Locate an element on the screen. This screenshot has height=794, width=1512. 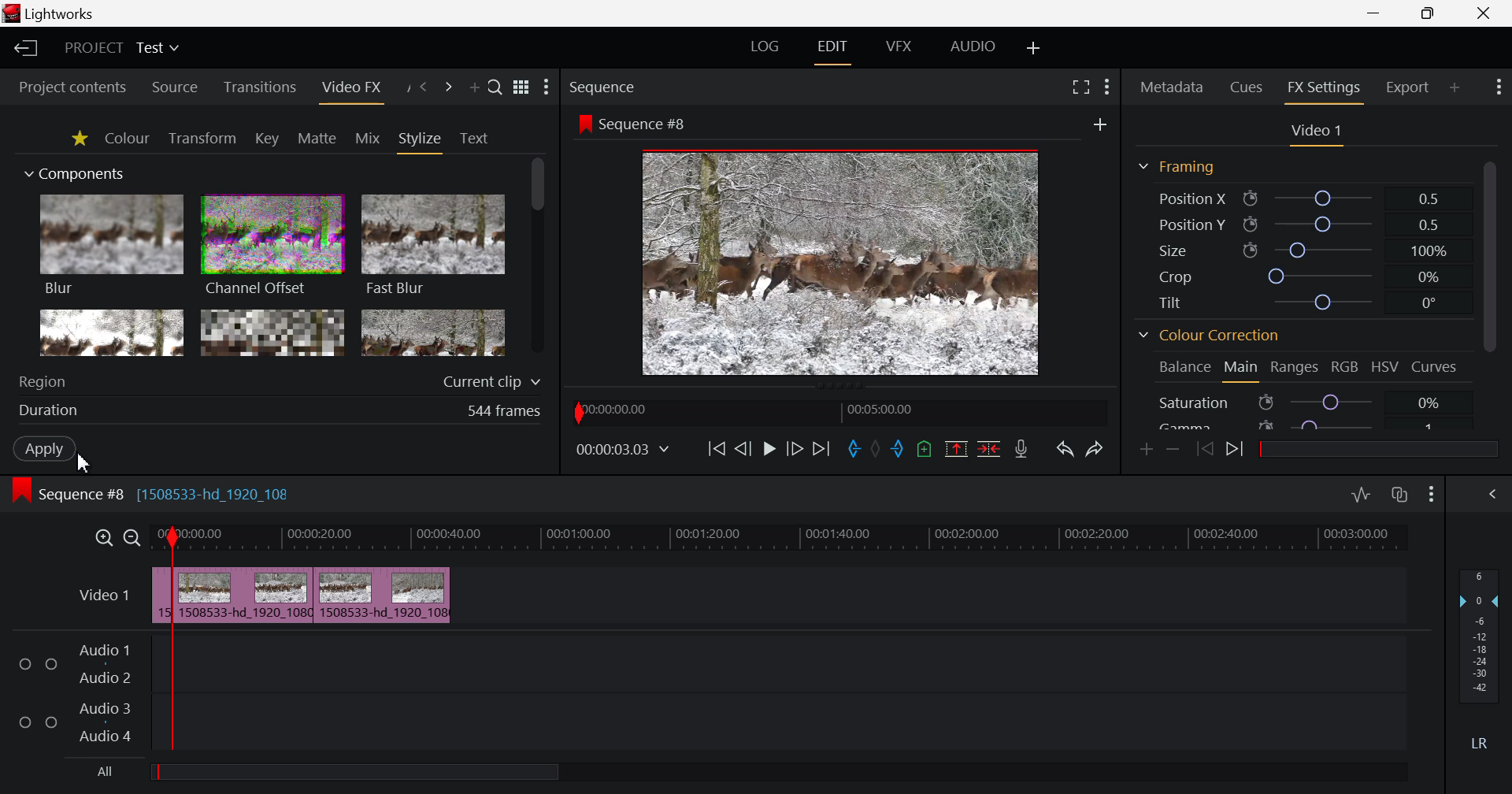
Go Back is located at coordinates (742, 447).